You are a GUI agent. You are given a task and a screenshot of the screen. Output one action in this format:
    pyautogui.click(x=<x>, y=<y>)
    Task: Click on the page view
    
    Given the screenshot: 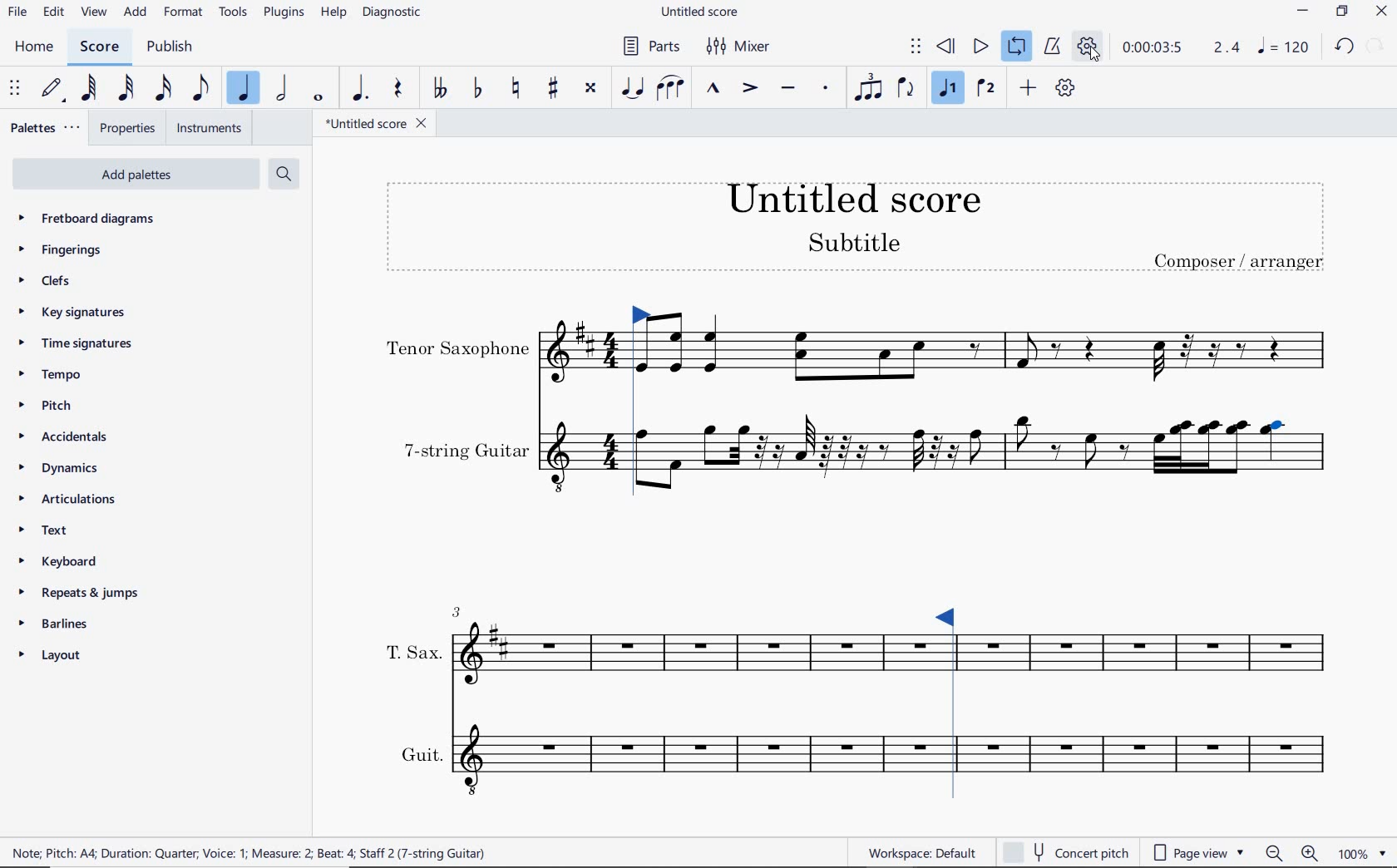 What is the action you would take?
    pyautogui.click(x=1198, y=854)
    